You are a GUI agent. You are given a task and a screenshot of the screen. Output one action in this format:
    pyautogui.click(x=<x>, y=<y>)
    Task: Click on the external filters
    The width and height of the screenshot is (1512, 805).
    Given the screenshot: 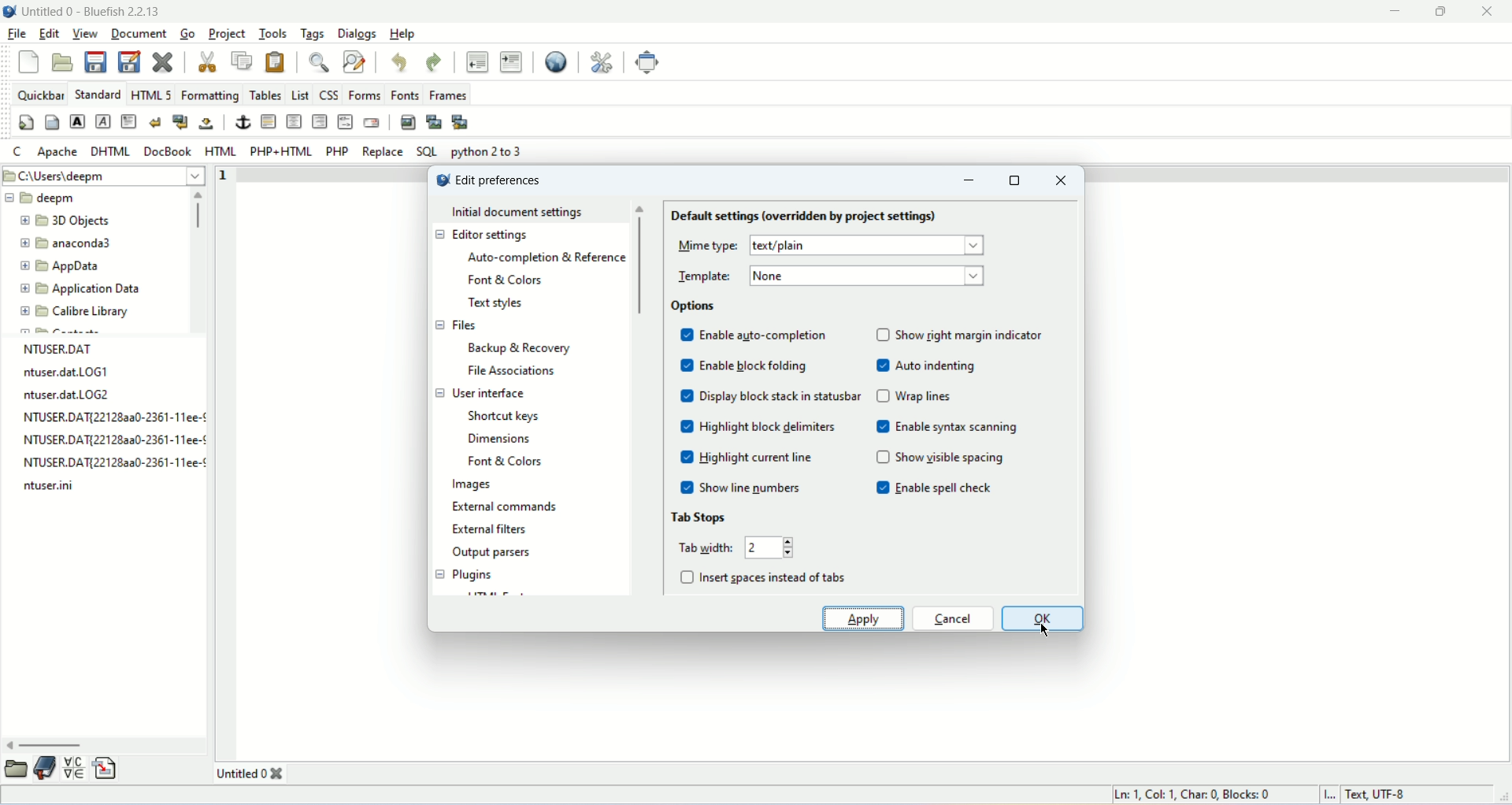 What is the action you would take?
    pyautogui.click(x=491, y=529)
    